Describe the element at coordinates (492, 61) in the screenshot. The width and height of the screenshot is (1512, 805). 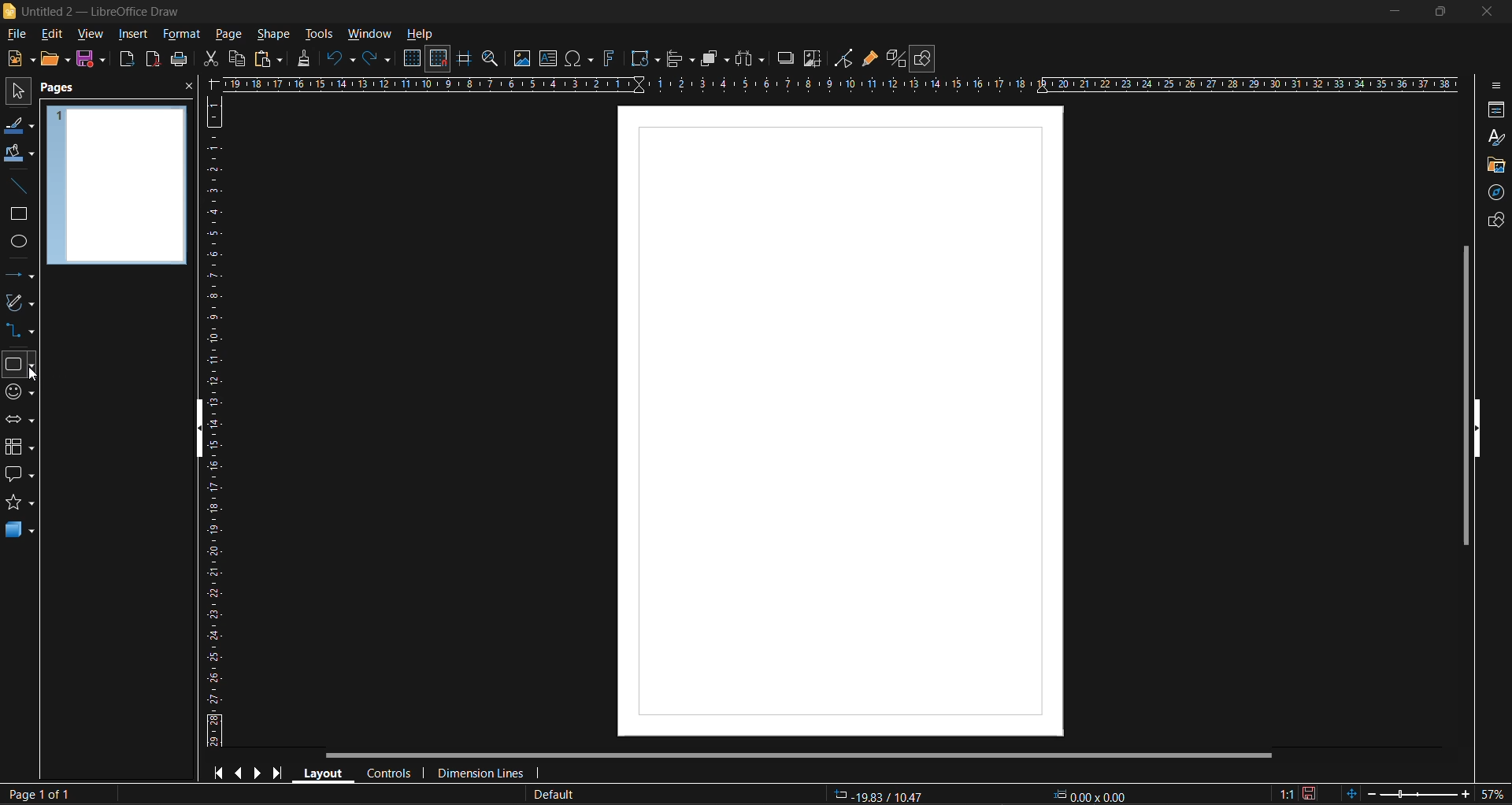
I see `zoom` at that location.